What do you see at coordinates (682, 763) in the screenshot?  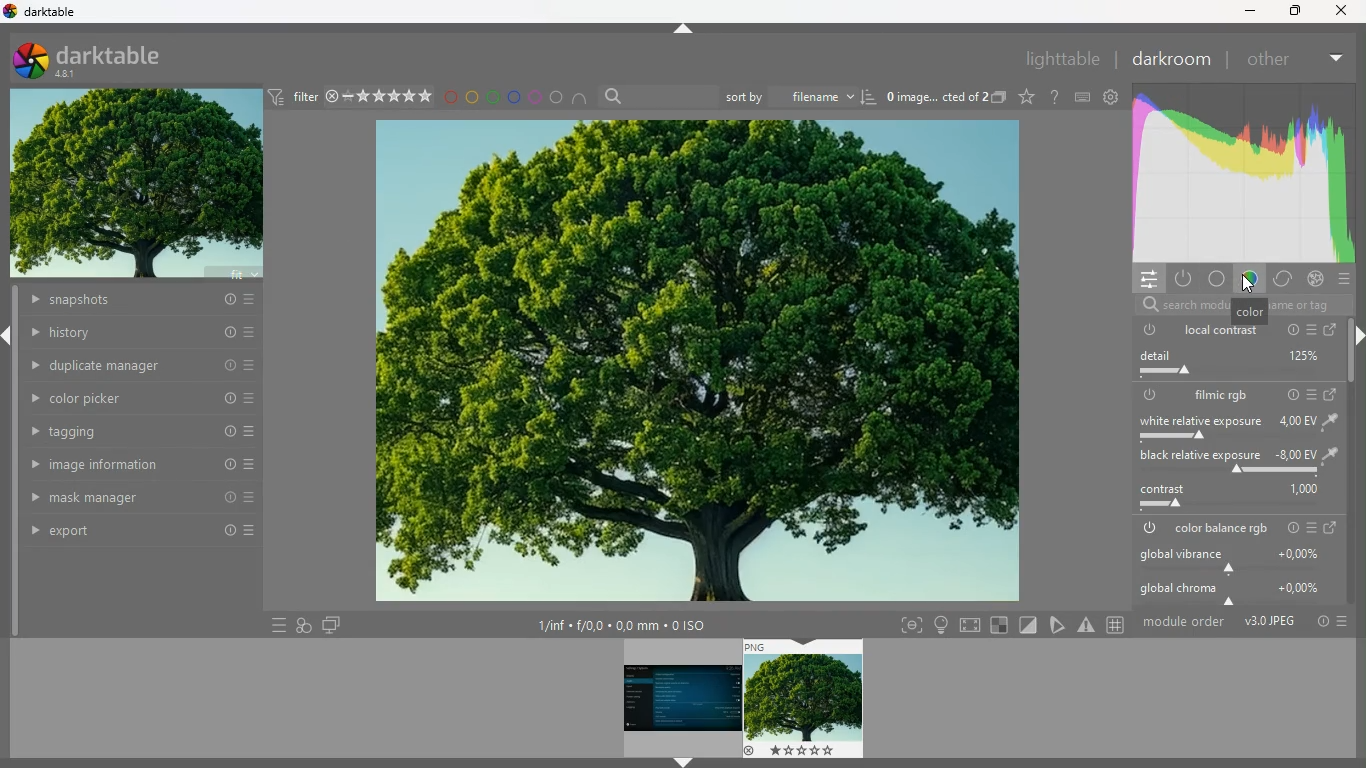 I see `arrow` at bounding box center [682, 763].